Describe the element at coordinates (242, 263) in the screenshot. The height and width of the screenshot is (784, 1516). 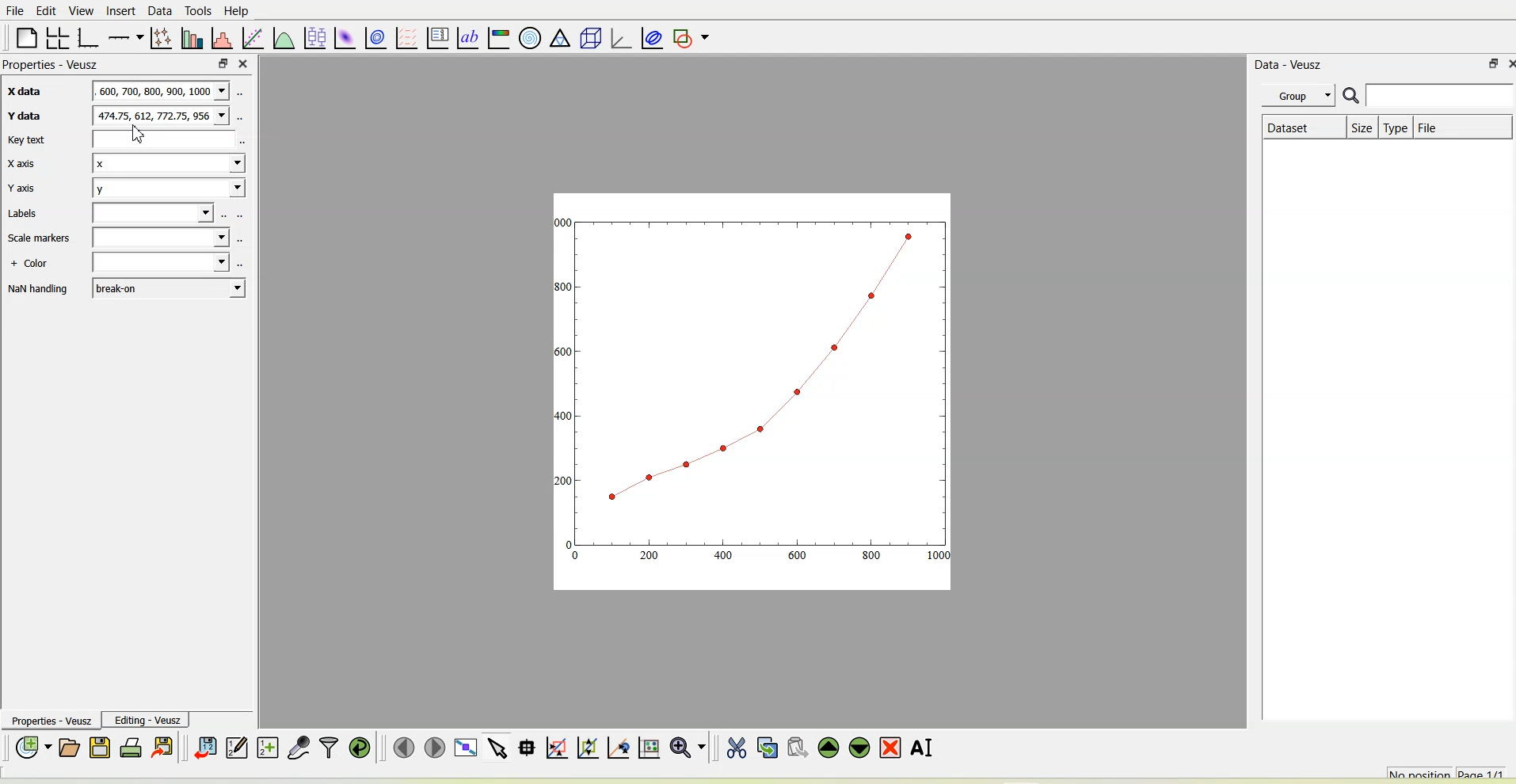
I see `select using dataset browser` at that location.